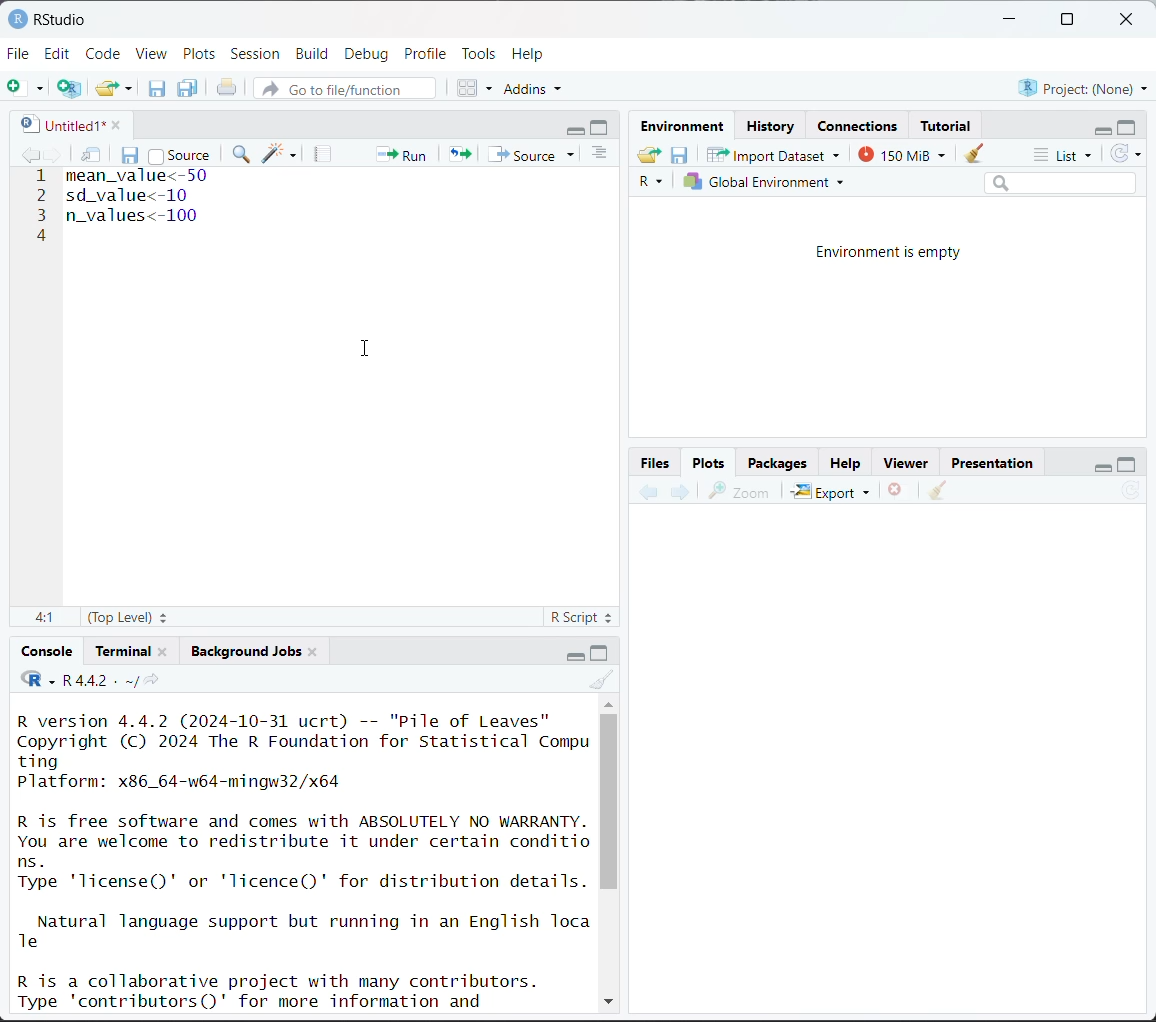 The image size is (1156, 1022). Describe the element at coordinates (772, 126) in the screenshot. I see `History` at that location.